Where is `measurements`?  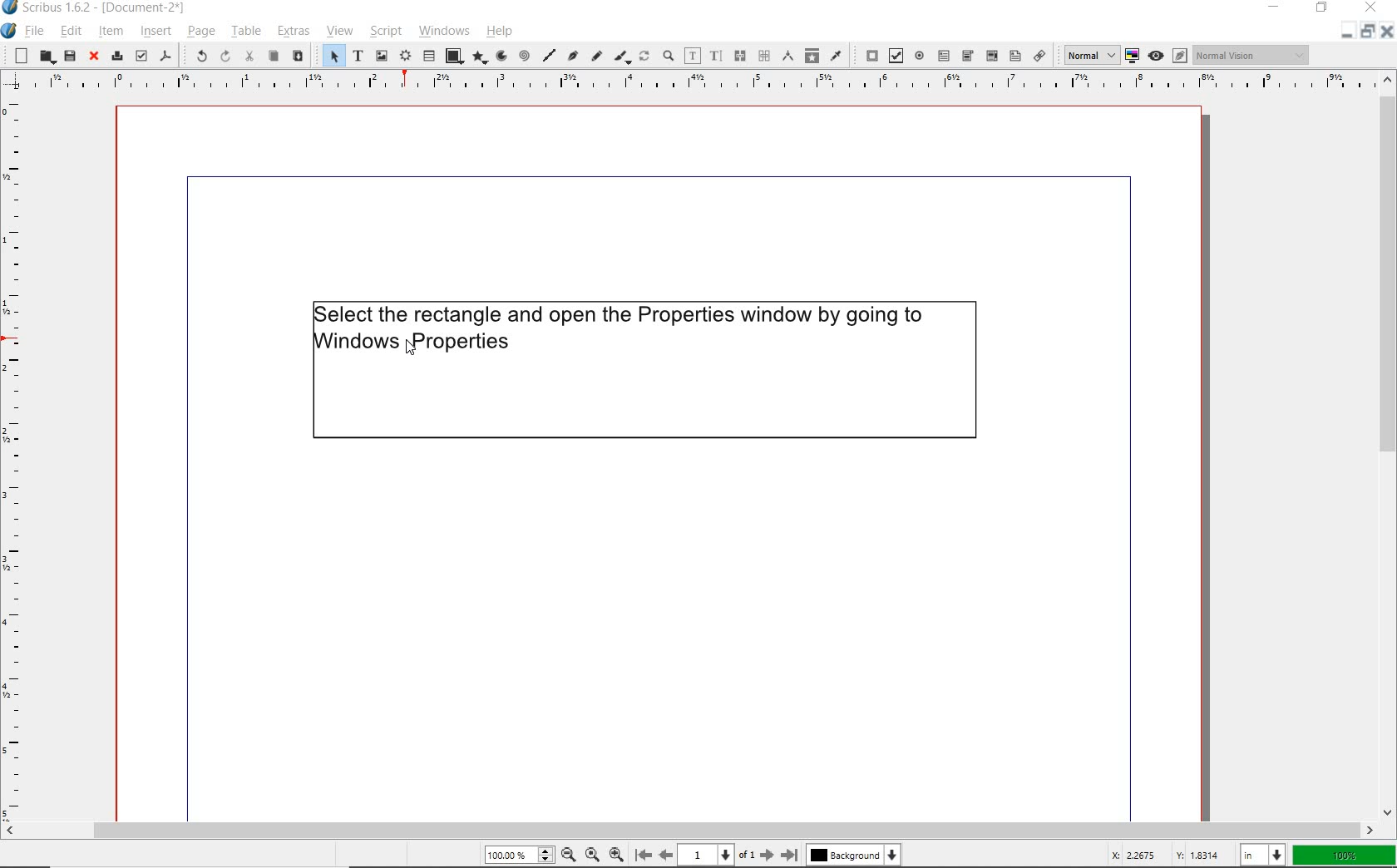 measurements is located at coordinates (787, 55).